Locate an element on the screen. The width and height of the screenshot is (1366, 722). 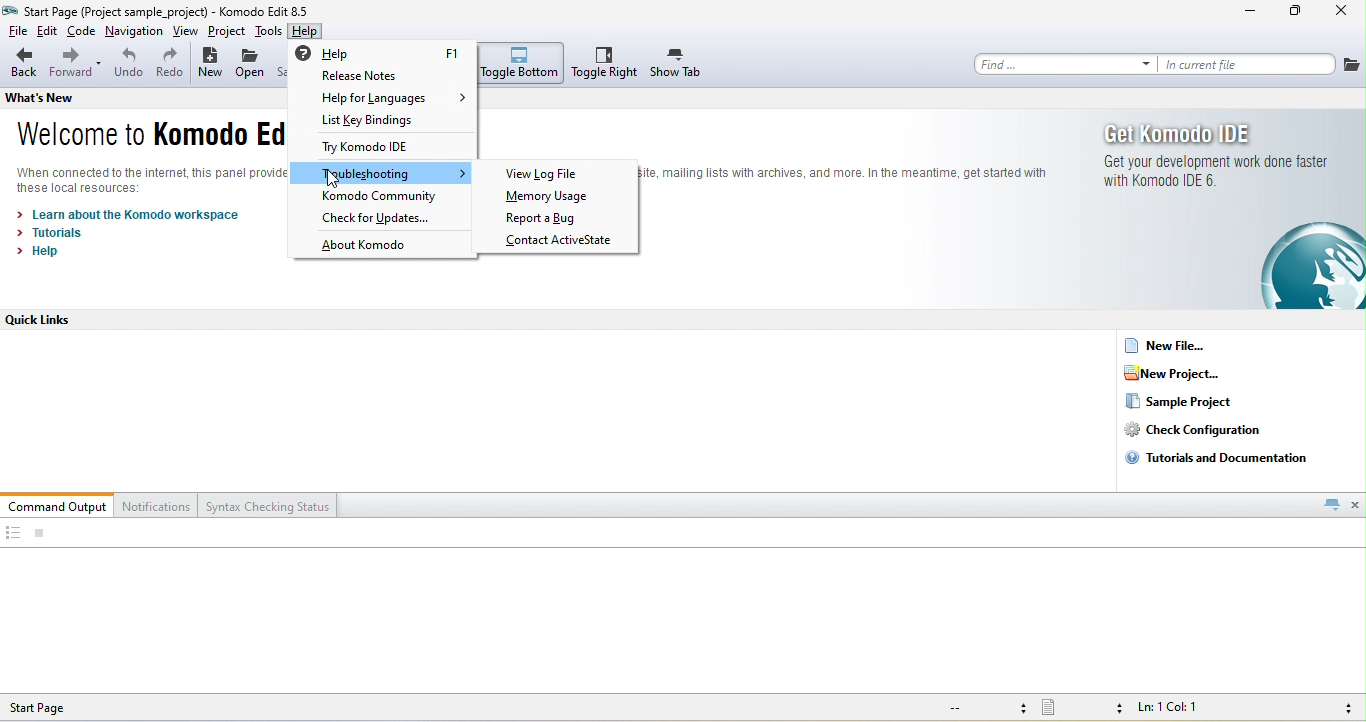
command output is located at coordinates (58, 505).